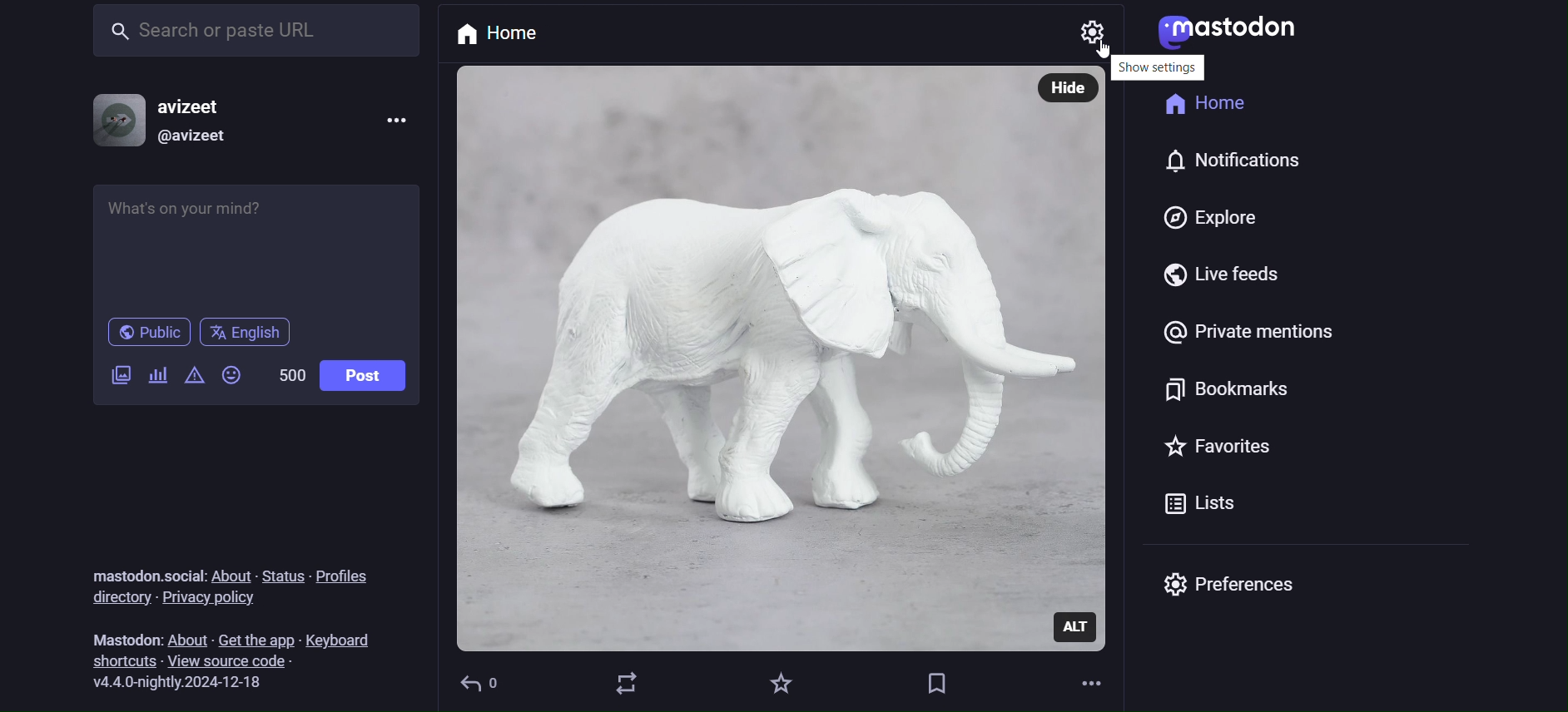 Image resolution: width=1568 pixels, height=712 pixels. Describe the element at coordinates (362, 378) in the screenshot. I see `post` at that location.